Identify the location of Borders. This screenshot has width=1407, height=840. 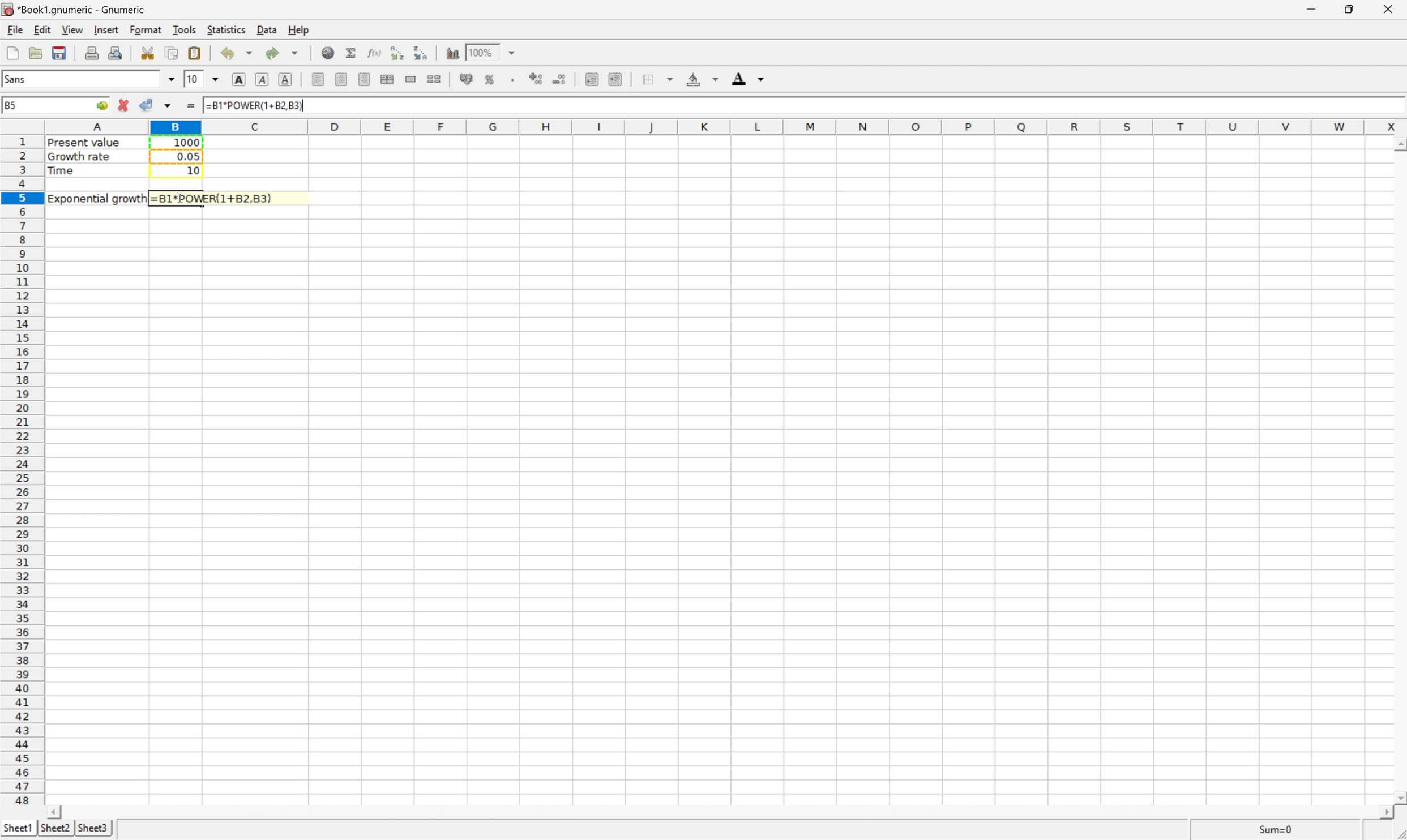
(655, 79).